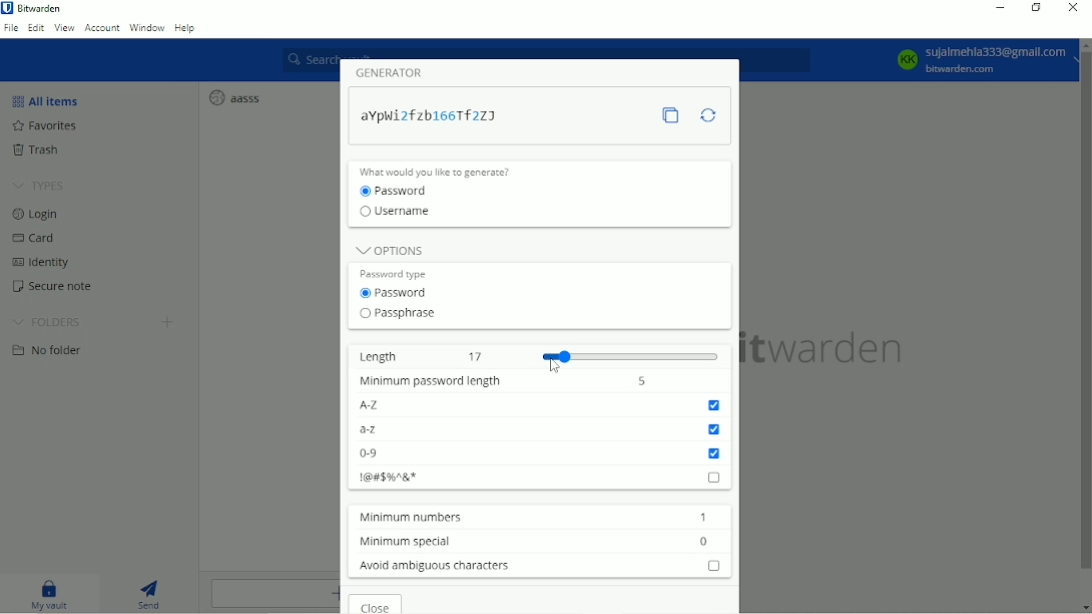  What do you see at coordinates (44, 126) in the screenshot?
I see `Favorites` at bounding box center [44, 126].